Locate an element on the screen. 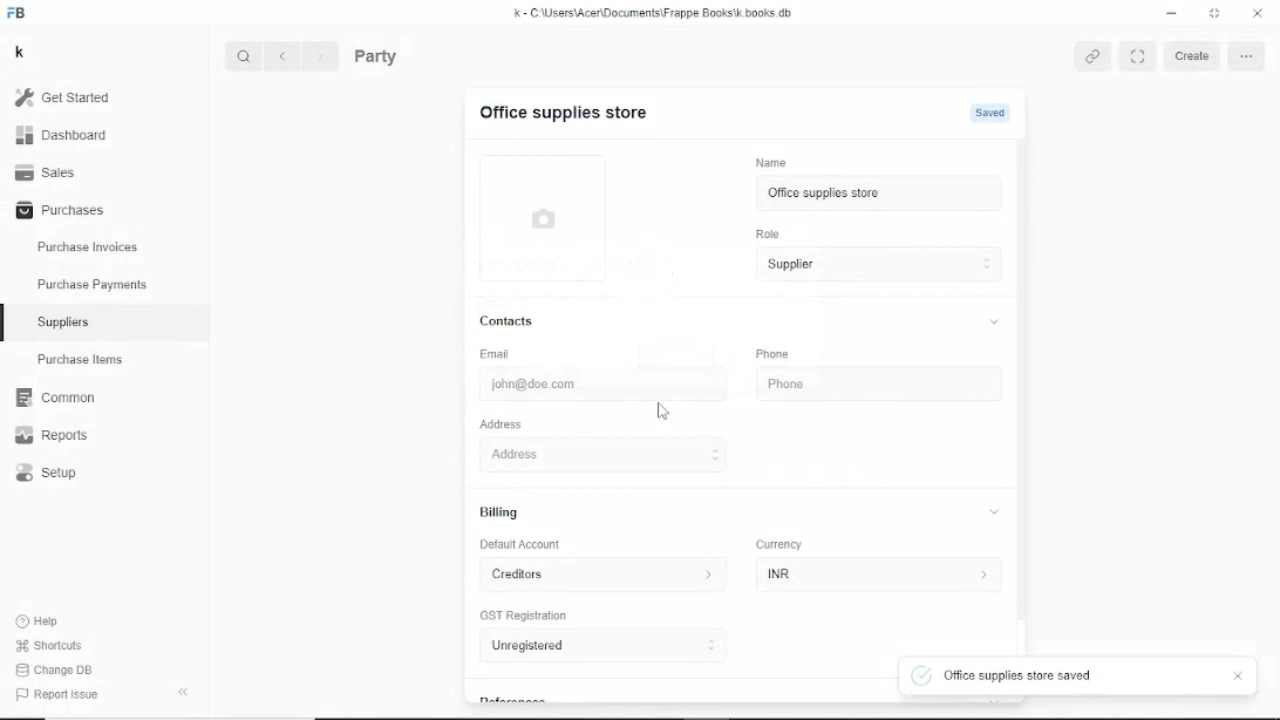 The width and height of the screenshot is (1280, 720). Shortcuts is located at coordinates (48, 646).